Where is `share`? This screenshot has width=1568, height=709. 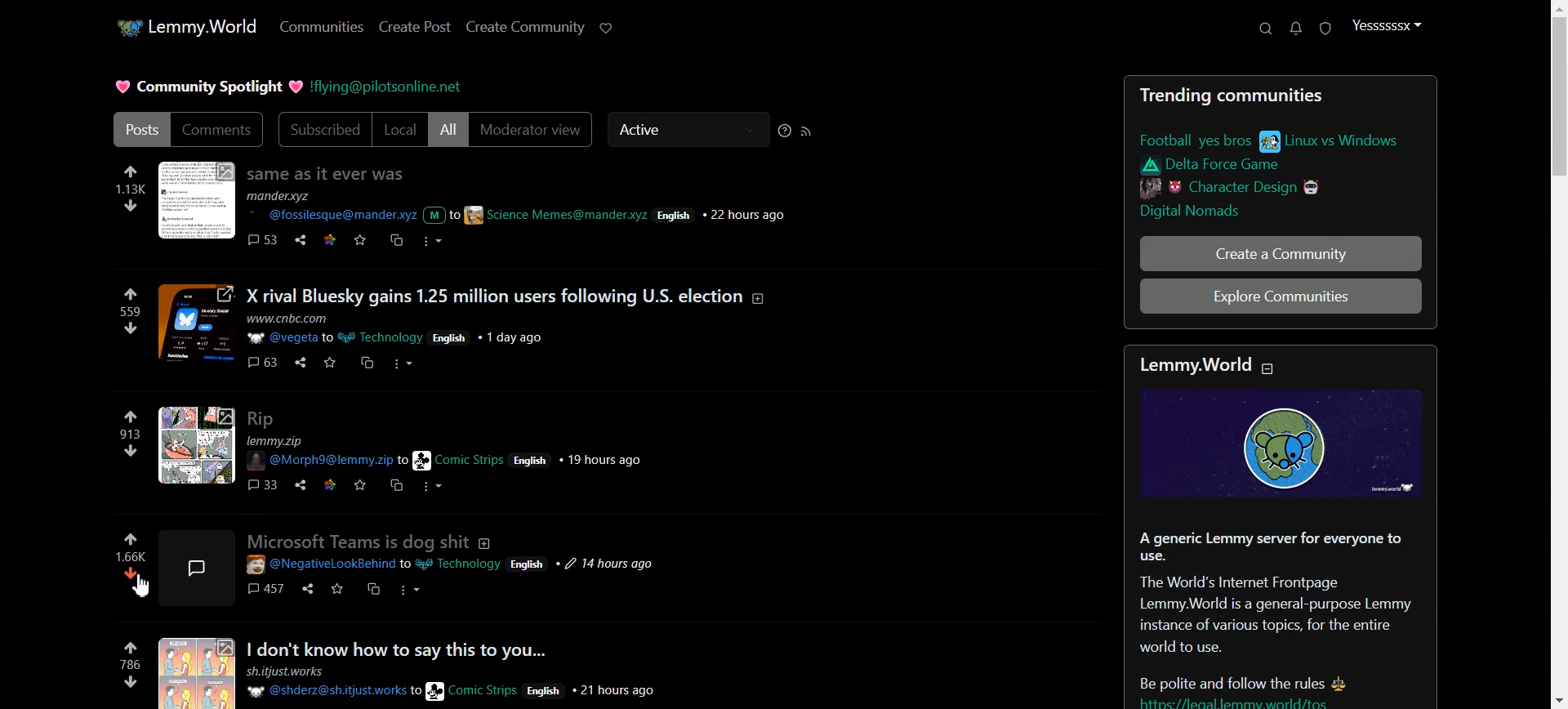
share is located at coordinates (303, 239).